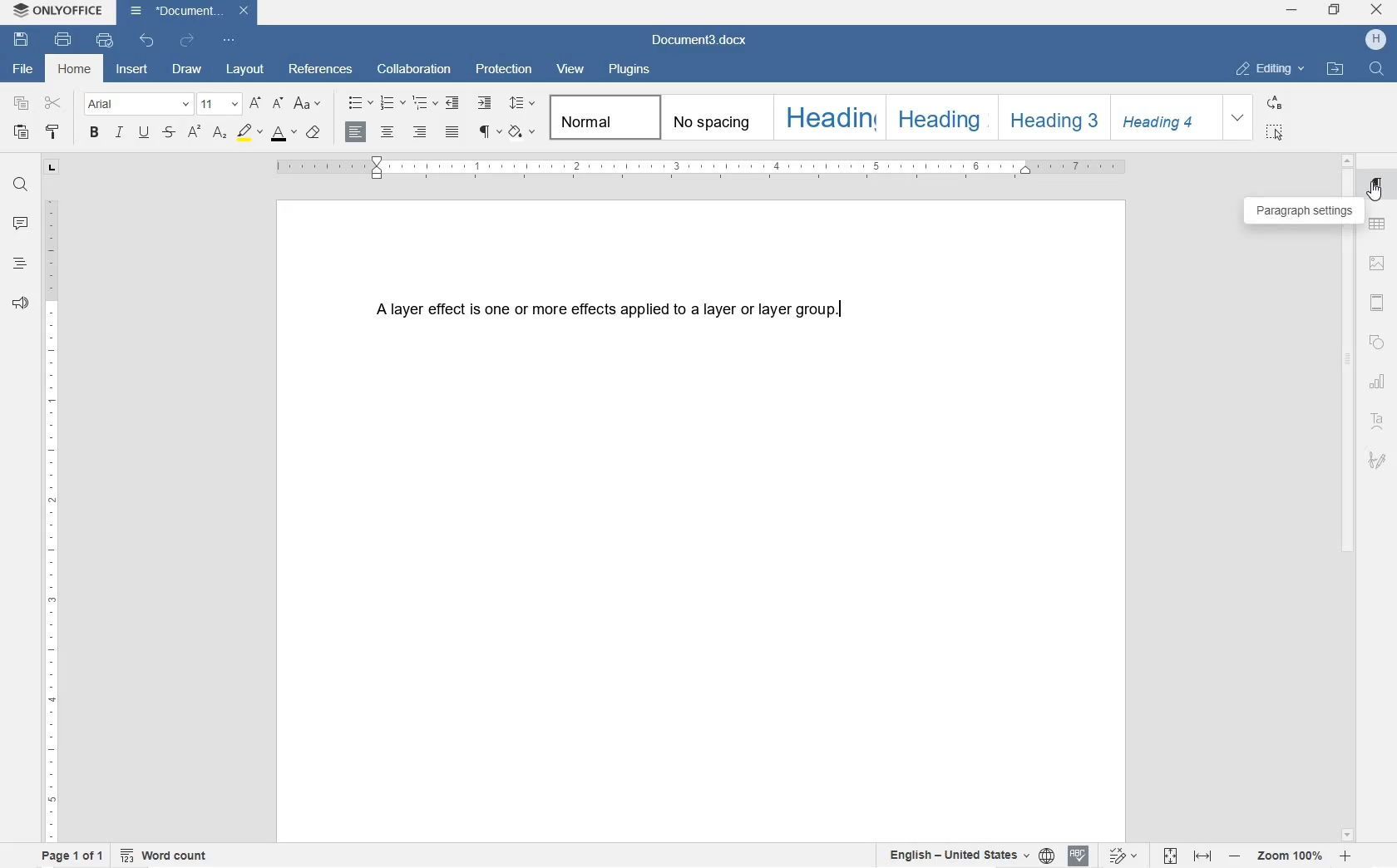 This screenshot has width=1397, height=868. I want to click on CLEAR STYLE, so click(313, 133).